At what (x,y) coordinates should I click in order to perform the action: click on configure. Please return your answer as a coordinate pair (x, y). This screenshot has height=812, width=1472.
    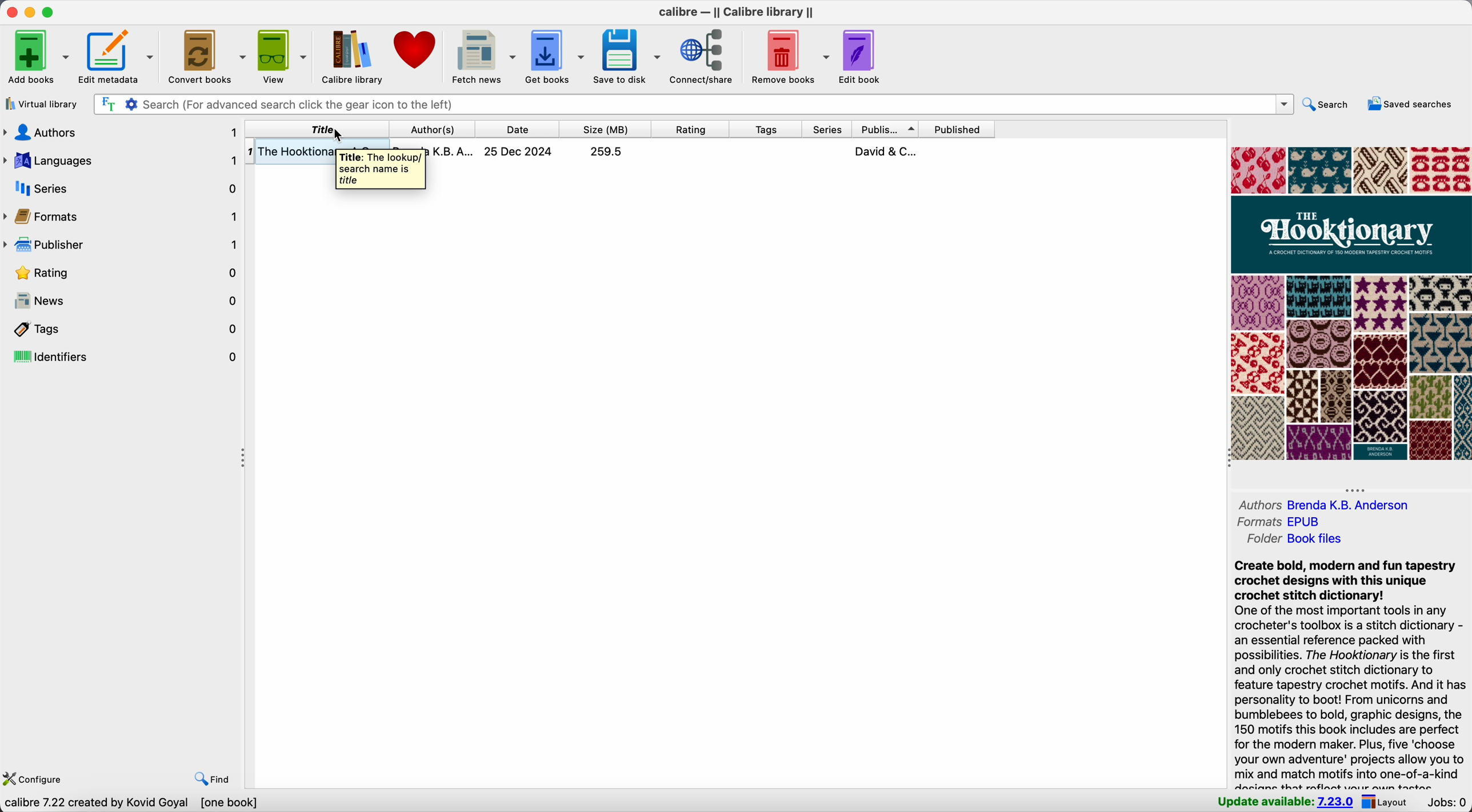
    Looking at the image, I should click on (32, 779).